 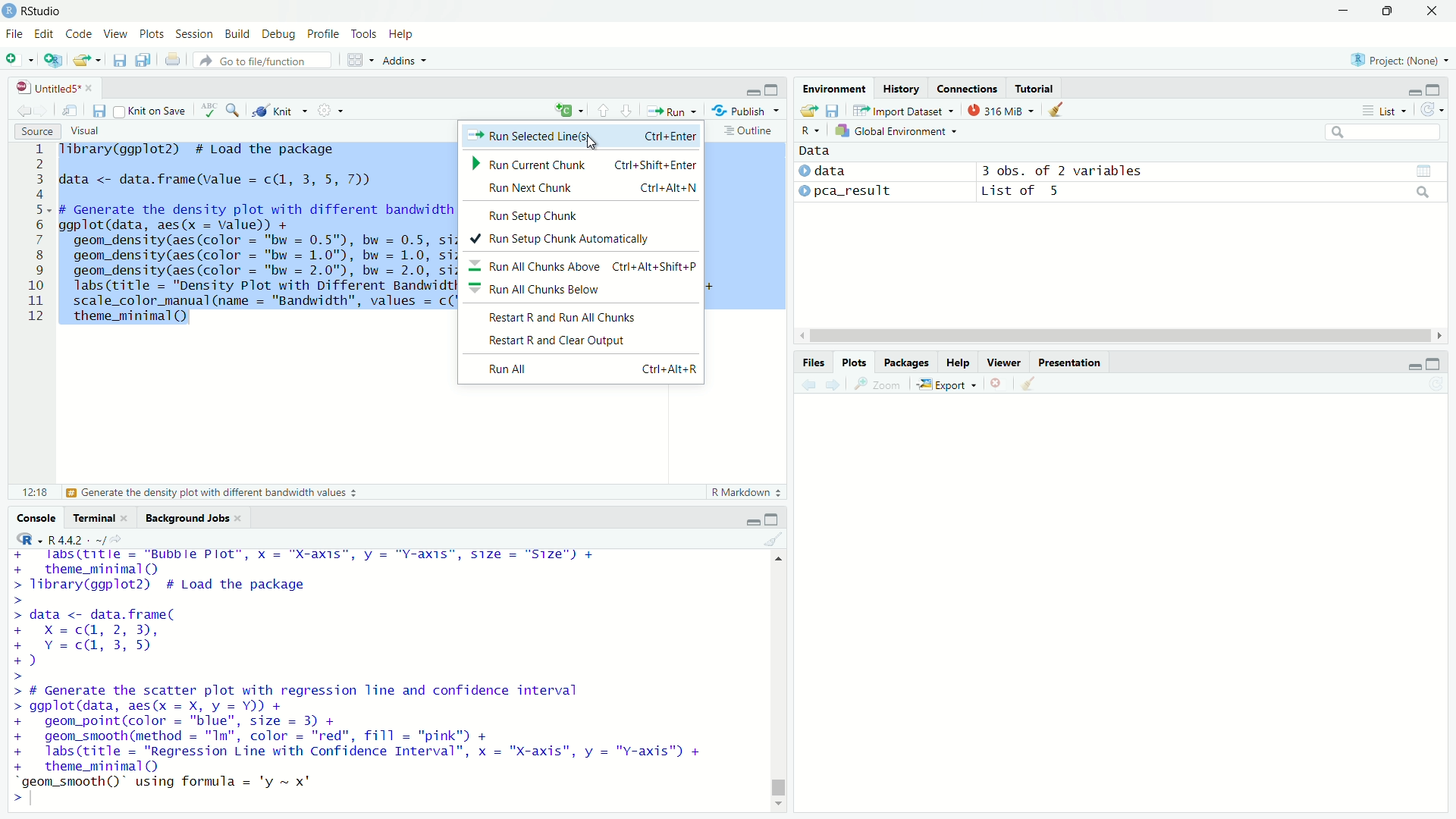 I want to click on Open an existing file, so click(x=80, y=60).